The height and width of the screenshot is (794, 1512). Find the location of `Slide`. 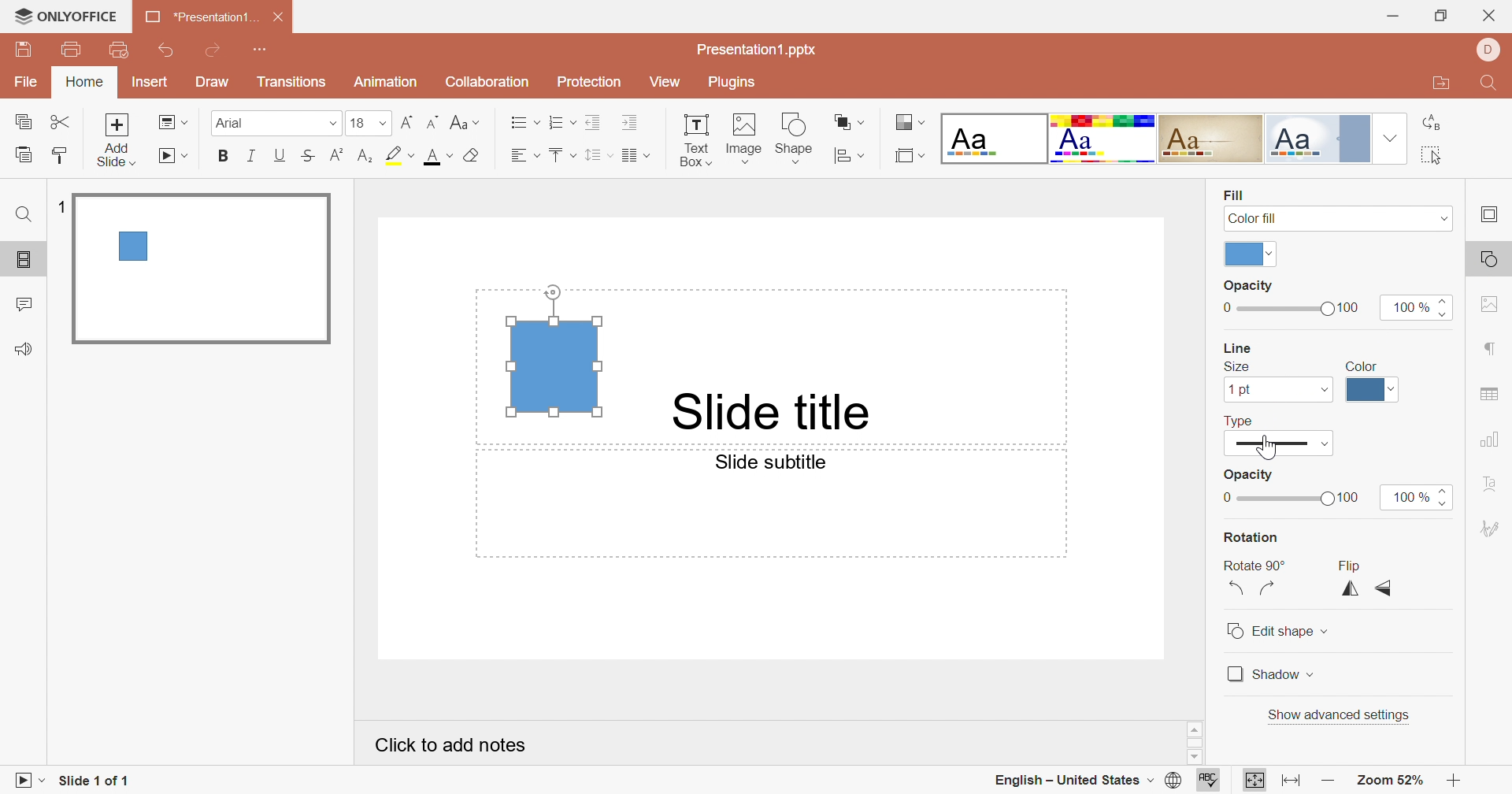

Slide is located at coordinates (1279, 443).